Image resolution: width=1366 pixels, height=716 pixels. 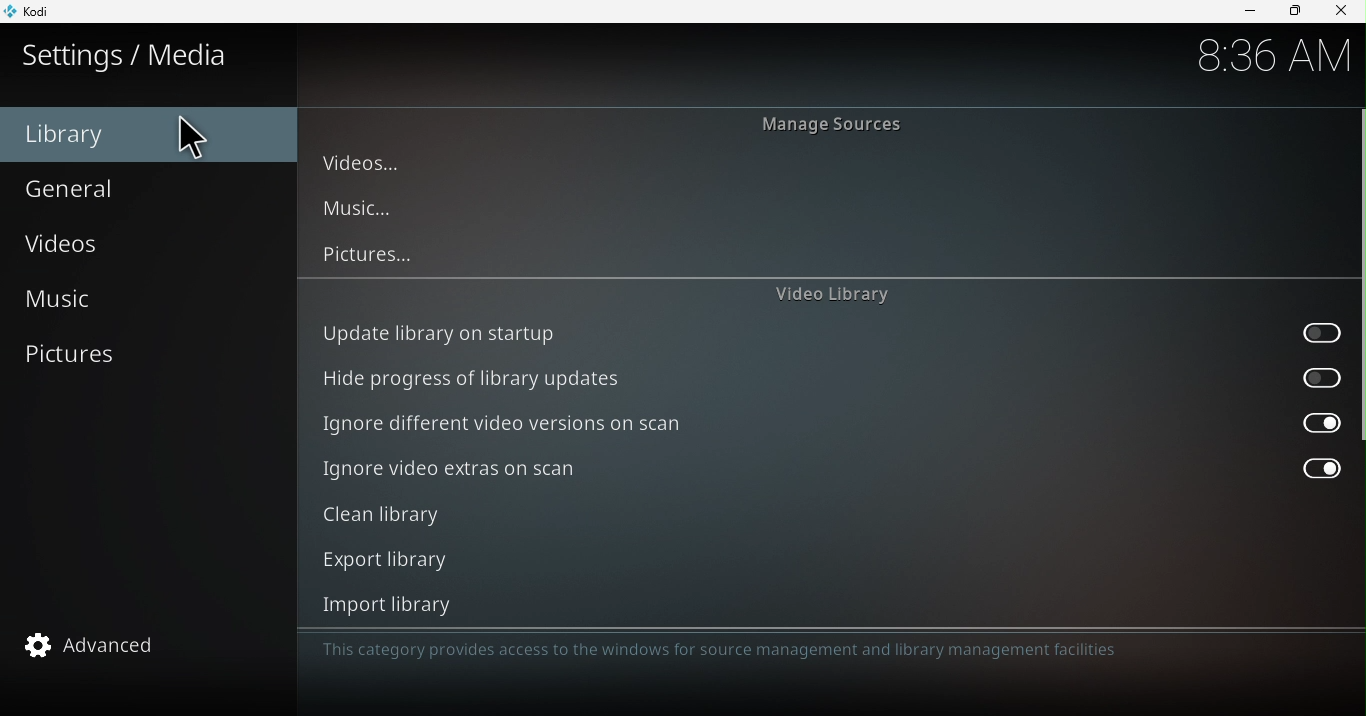 What do you see at coordinates (827, 423) in the screenshot?
I see `Ignore different video versions on scan` at bounding box center [827, 423].